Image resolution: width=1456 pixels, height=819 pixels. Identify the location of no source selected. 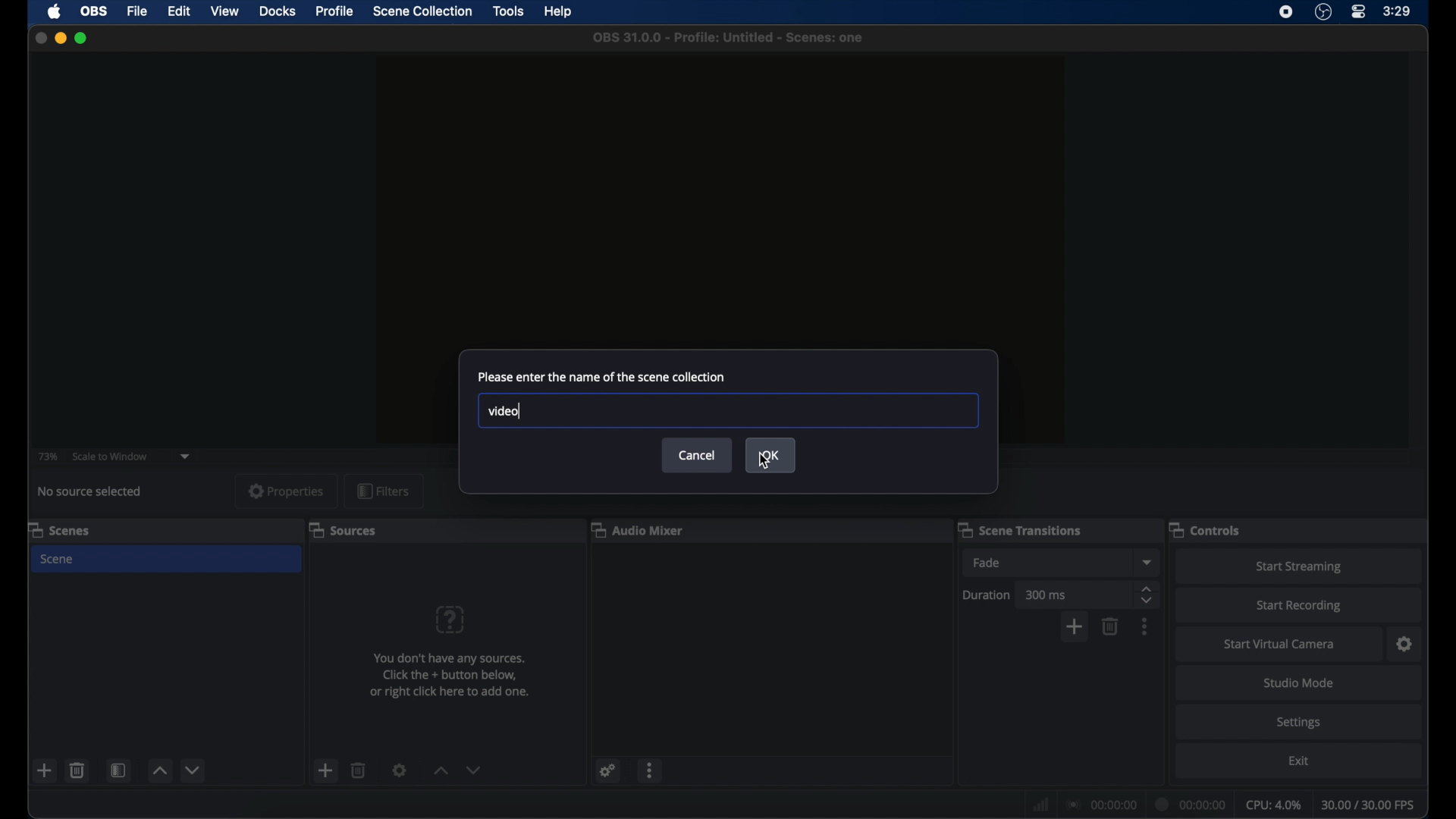
(95, 491).